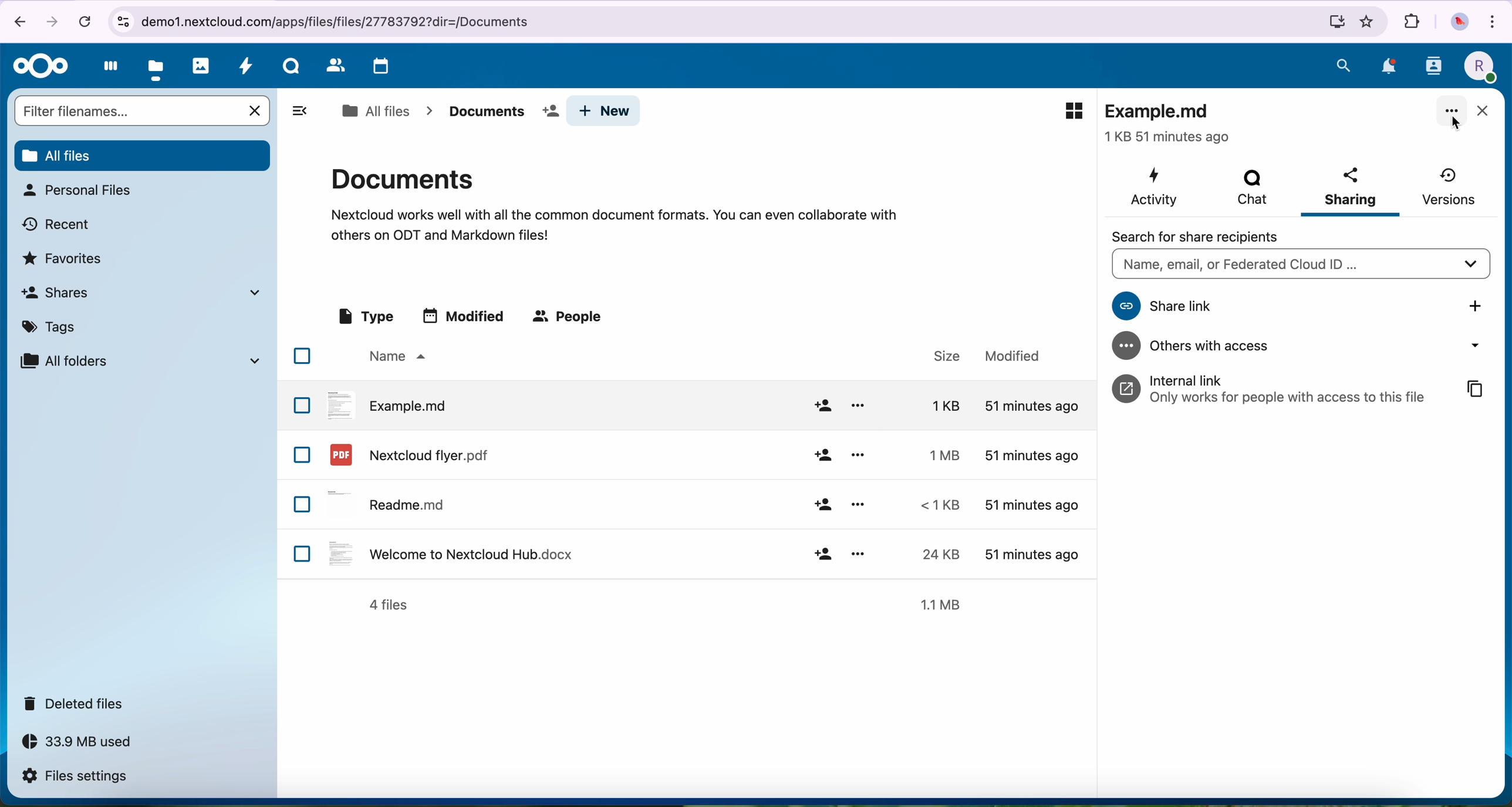 This screenshot has width=1512, height=807. What do you see at coordinates (858, 552) in the screenshot?
I see `options` at bounding box center [858, 552].